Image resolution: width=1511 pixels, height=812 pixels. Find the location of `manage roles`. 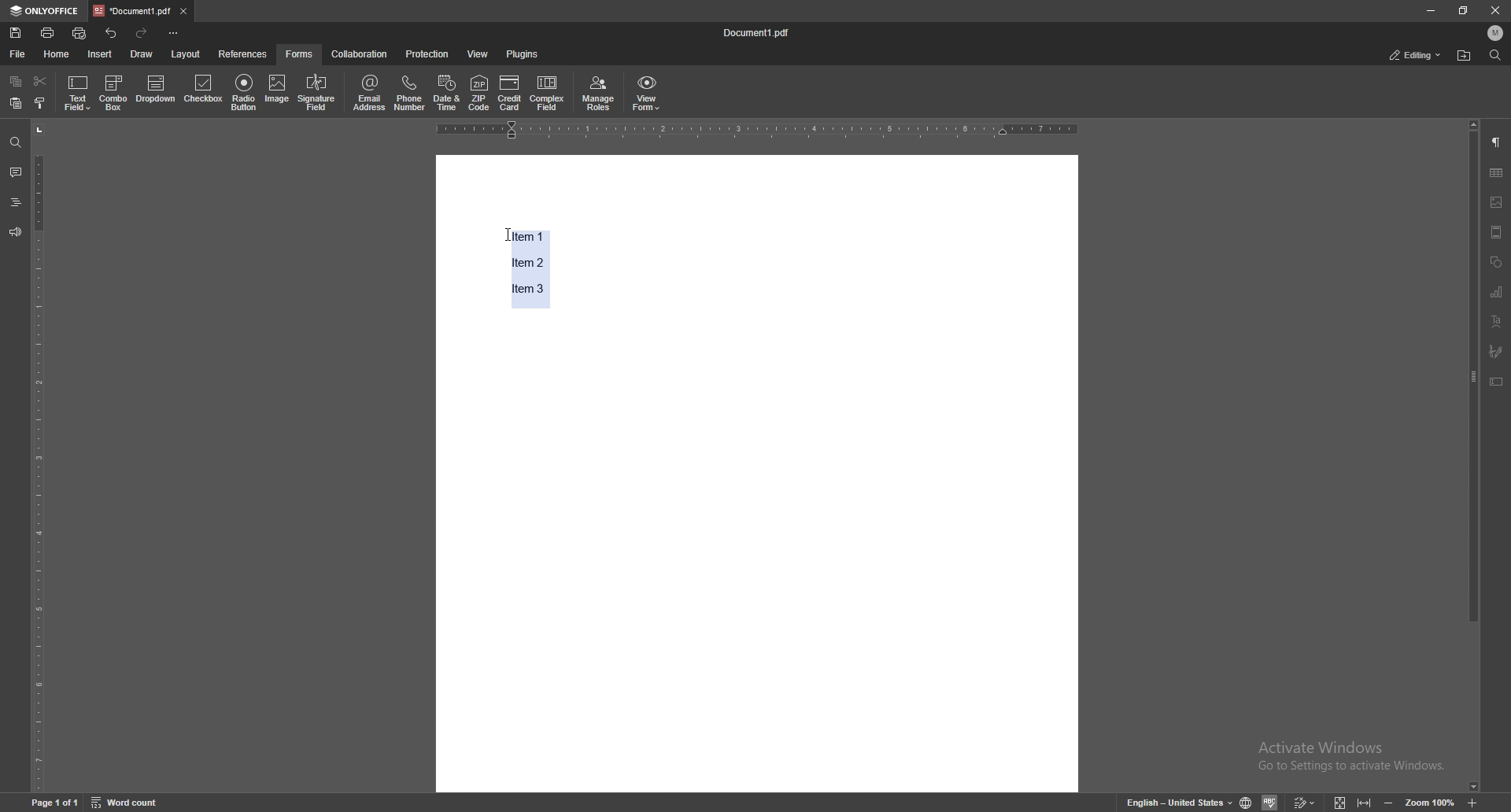

manage roles is located at coordinates (599, 94).